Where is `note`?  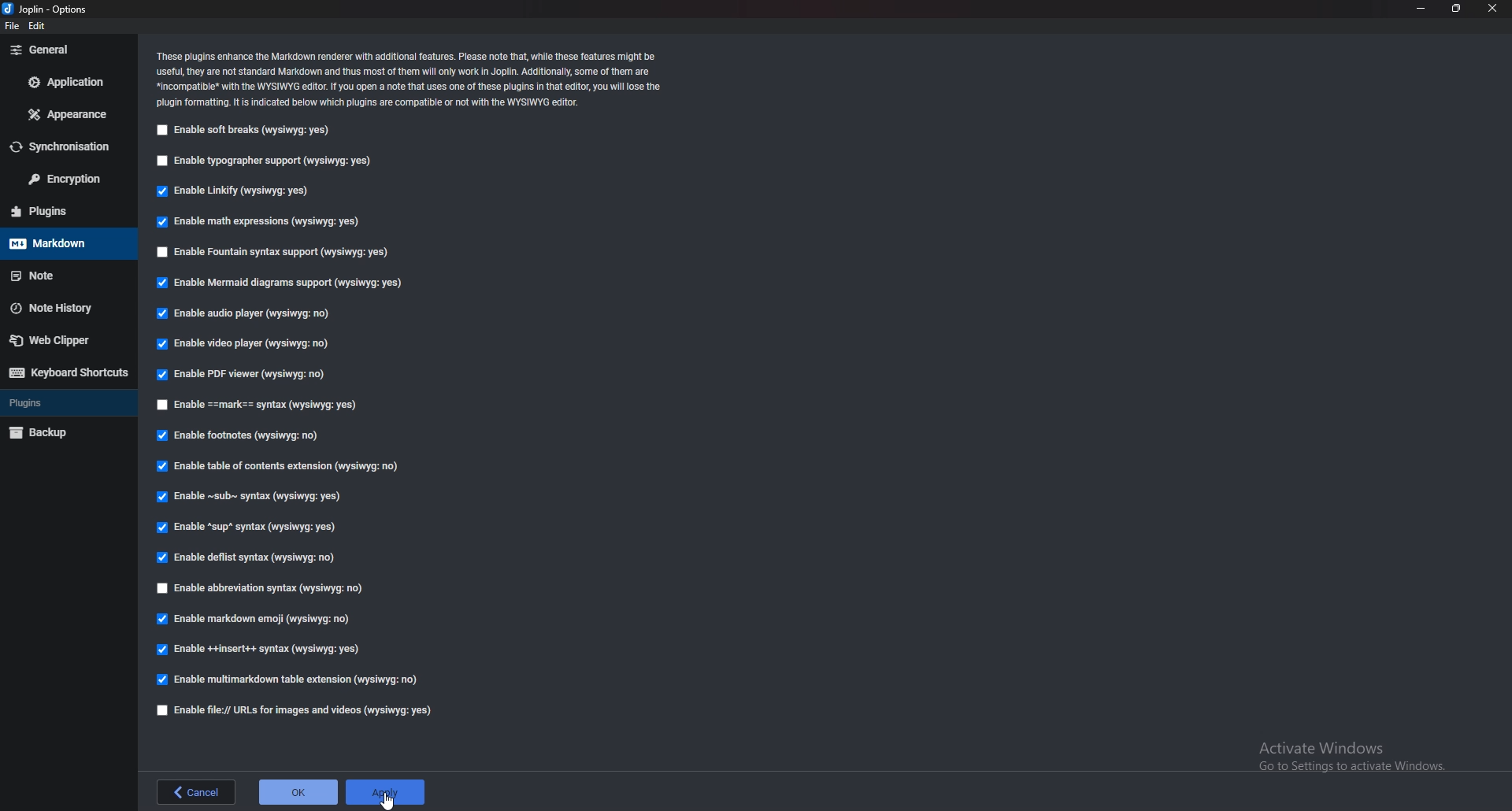 note is located at coordinates (63, 275).